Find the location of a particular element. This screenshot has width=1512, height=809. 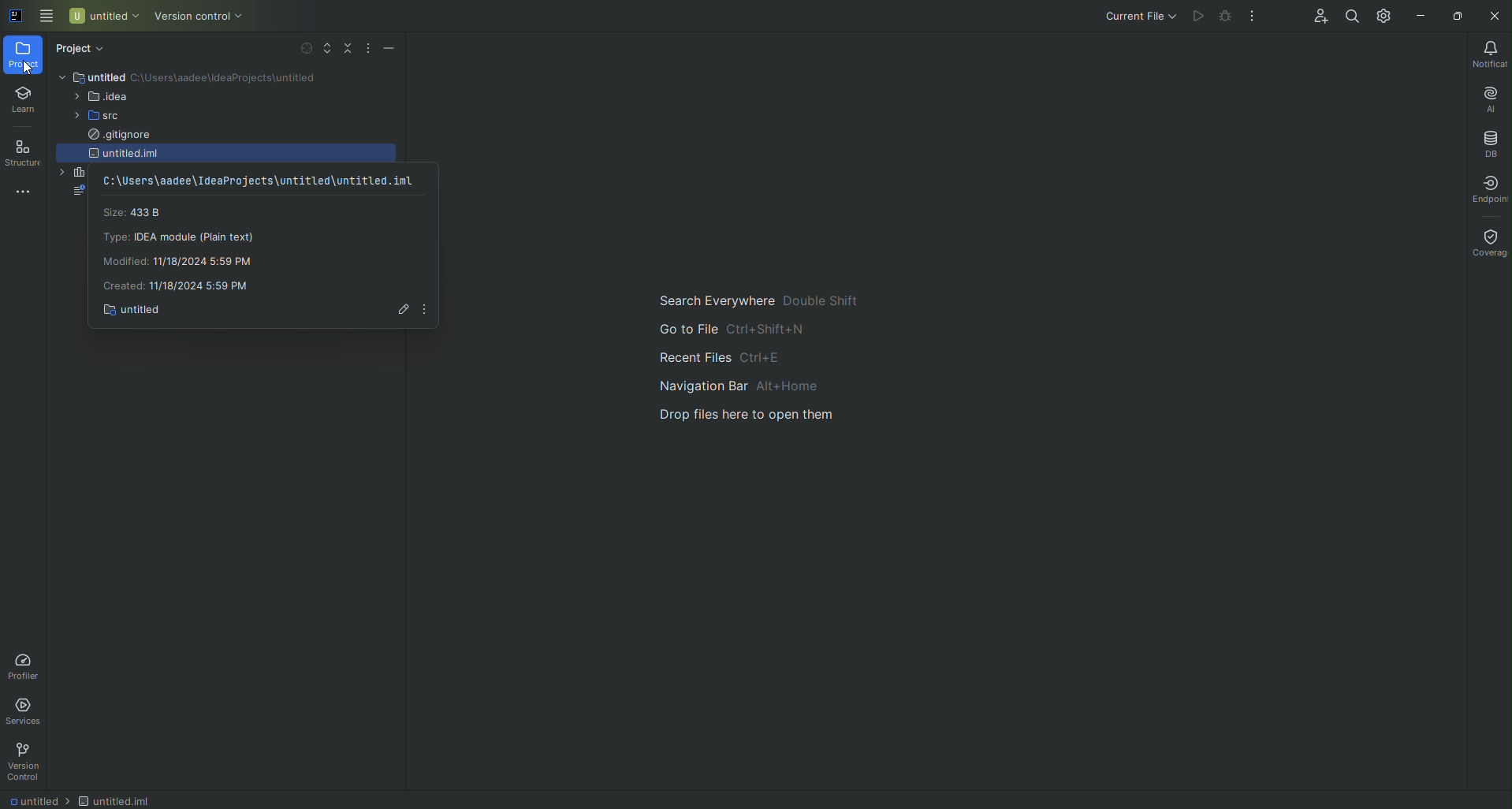

Notifications is located at coordinates (1488, 53).